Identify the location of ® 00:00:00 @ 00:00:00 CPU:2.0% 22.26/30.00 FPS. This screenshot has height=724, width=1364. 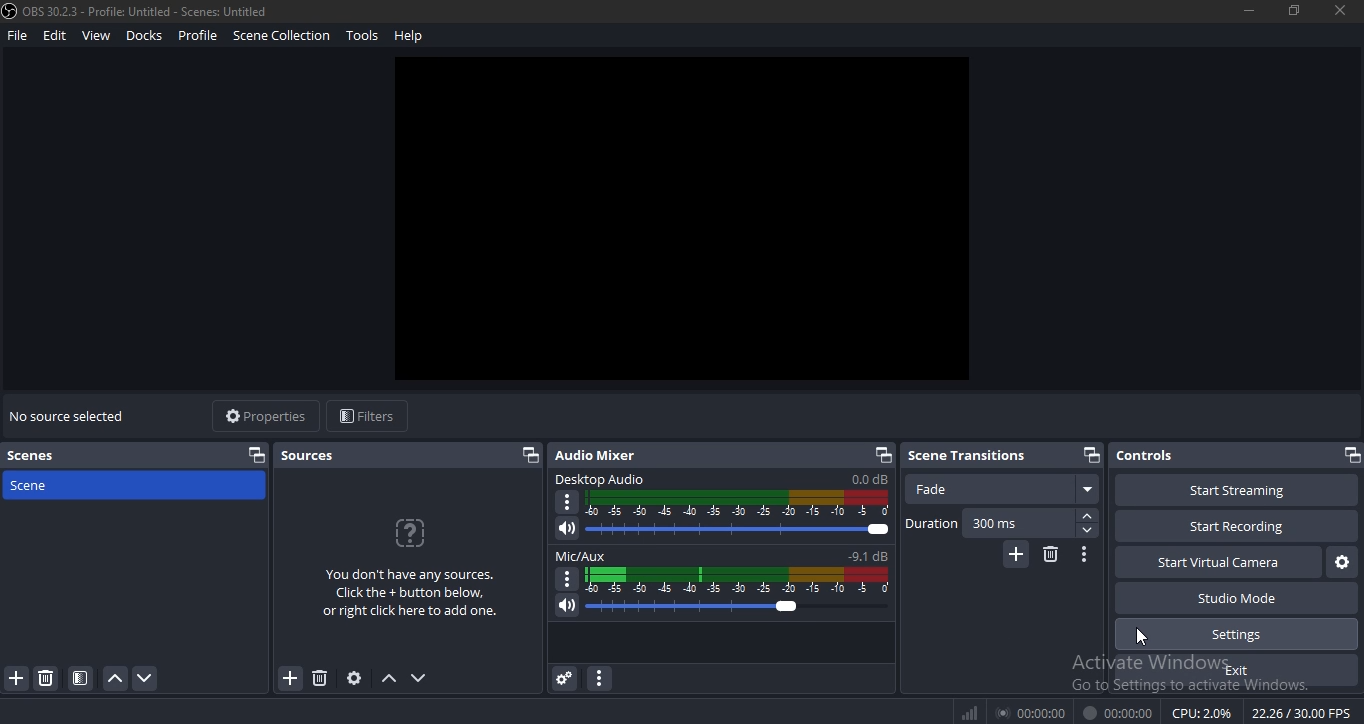
(1173, 713).